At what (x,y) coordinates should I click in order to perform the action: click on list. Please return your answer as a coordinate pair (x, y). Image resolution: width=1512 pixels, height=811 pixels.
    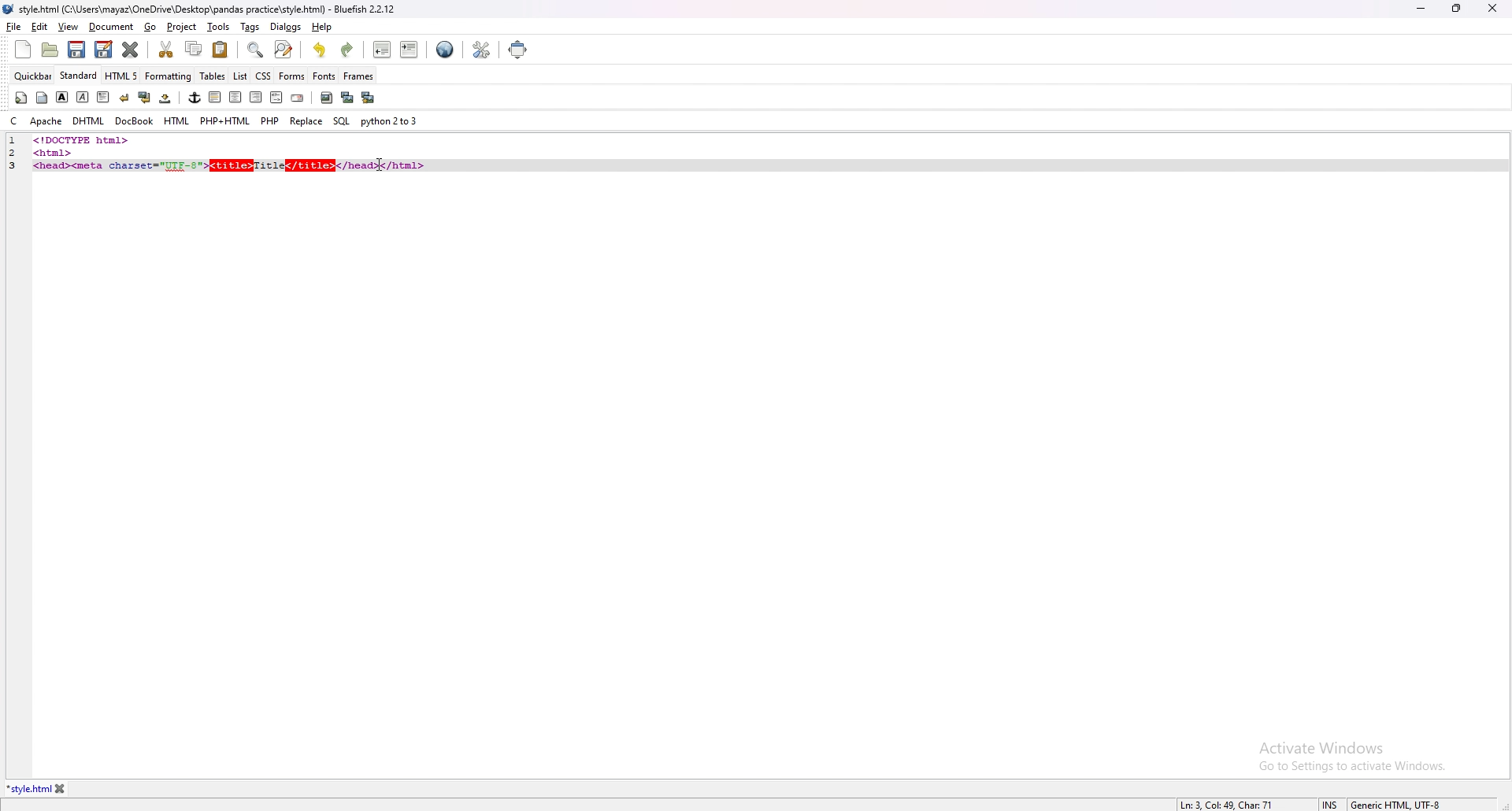
    Looking at the image, I should click on (240, 75).